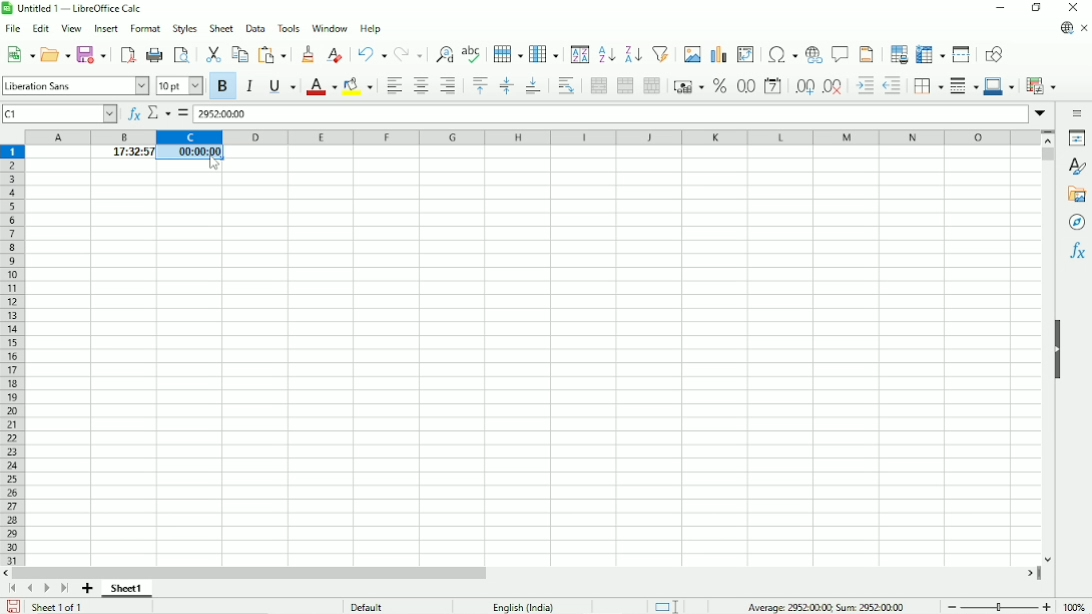  Describe the element at coordinates (105, 30) in the screenshot. I see `Insert` at that location.